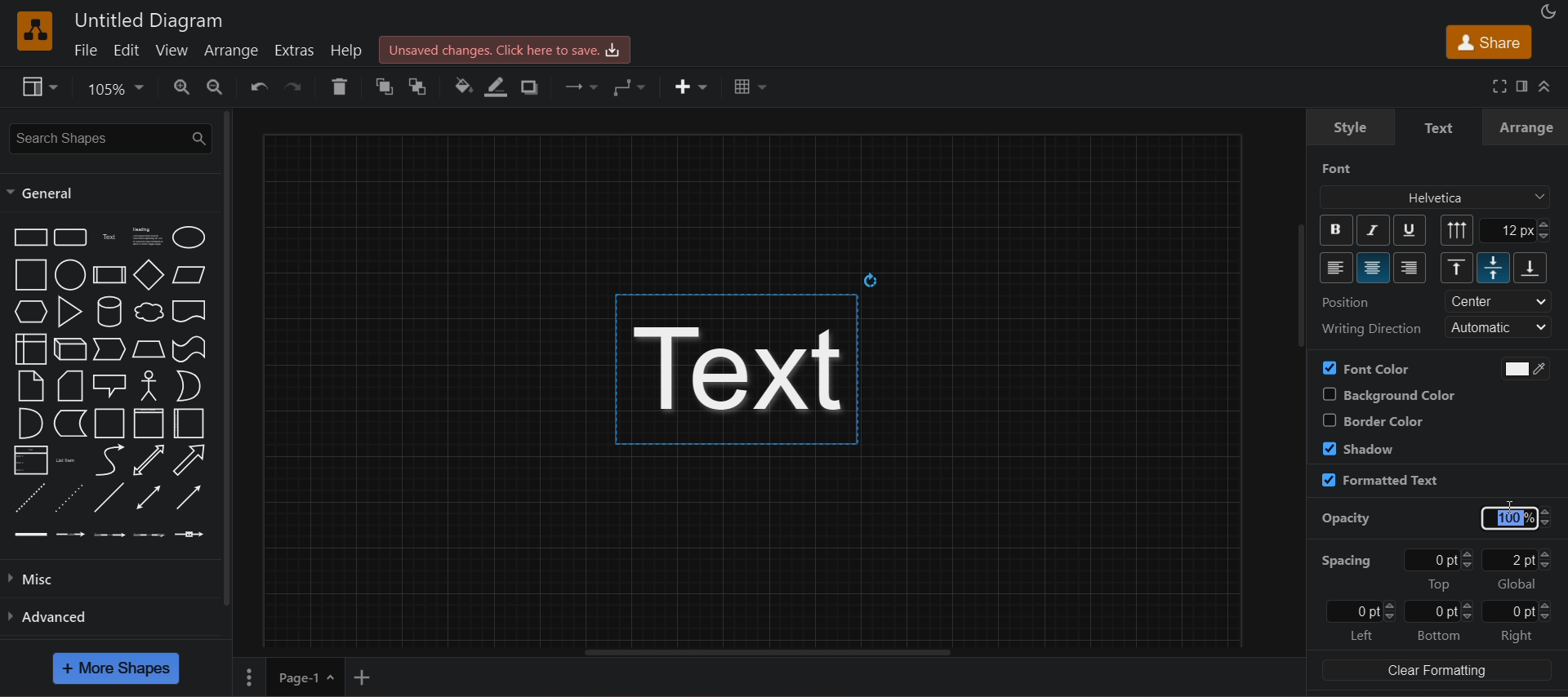  Describe the element at coordinates (1379, 481) in the screenshot. I see `formatted text` at that location.